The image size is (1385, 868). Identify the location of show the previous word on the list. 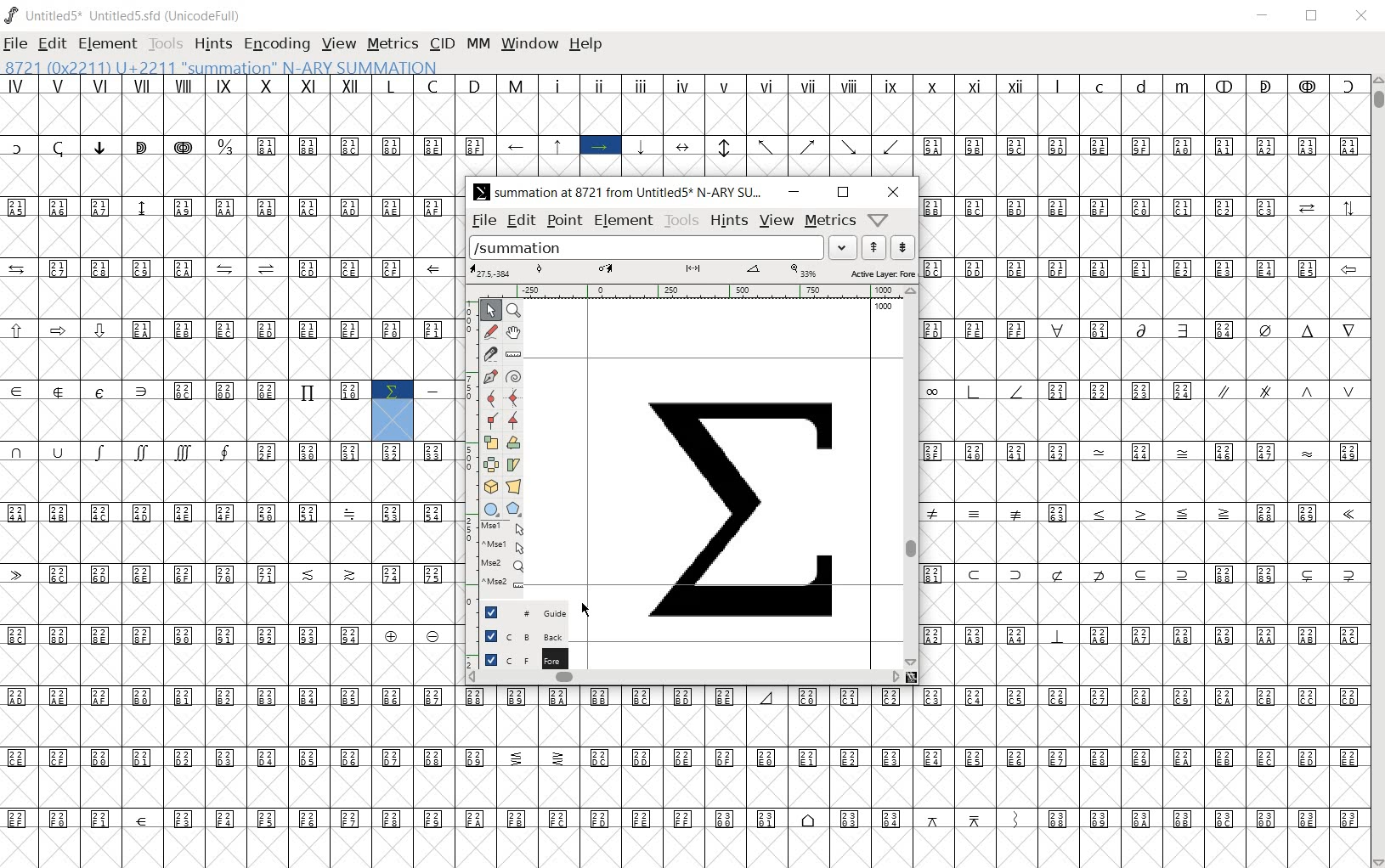
(902, 245).